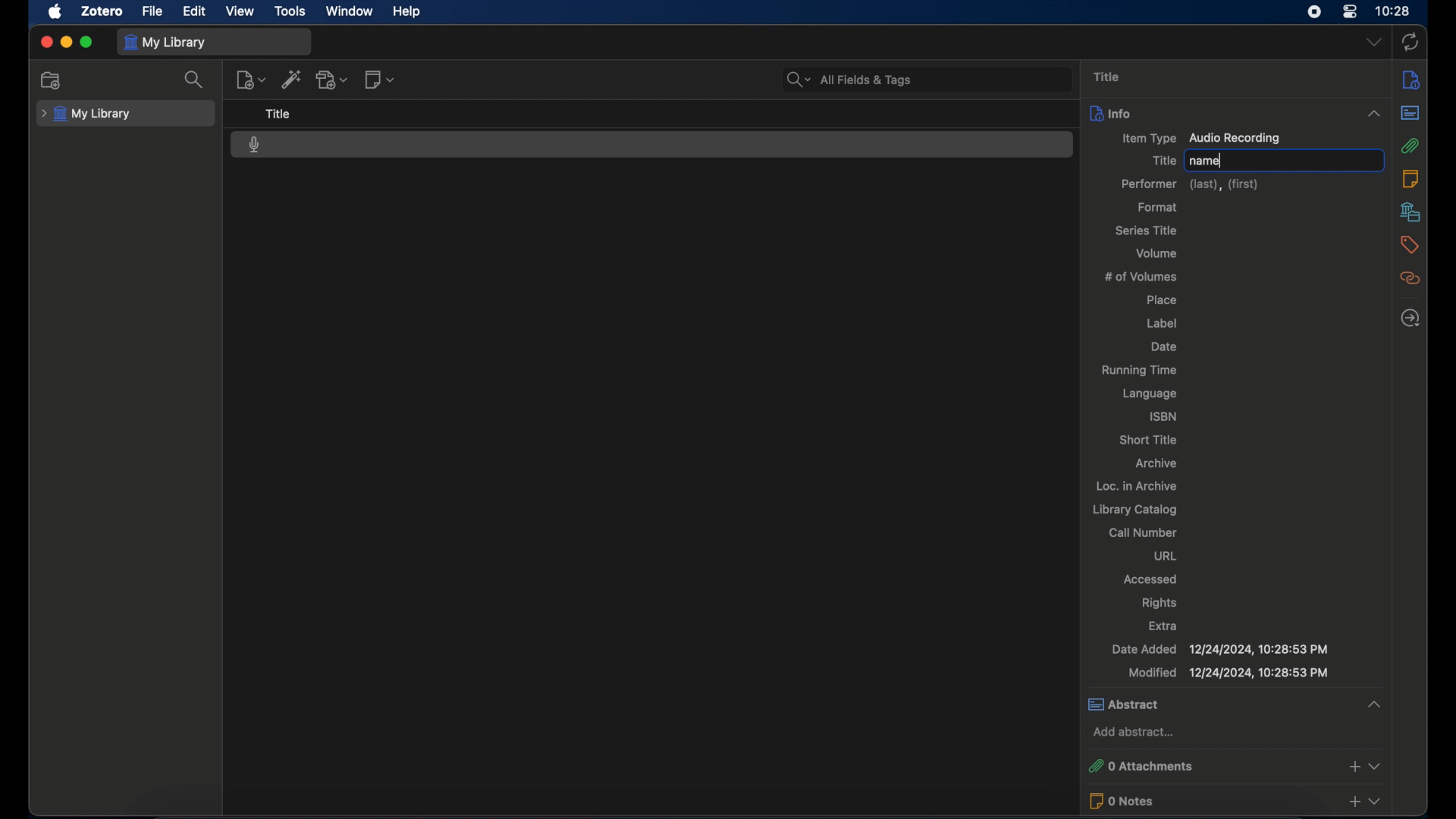 This screenshot has height=819, width=1456. I want to click on time, so click(1393, 10).